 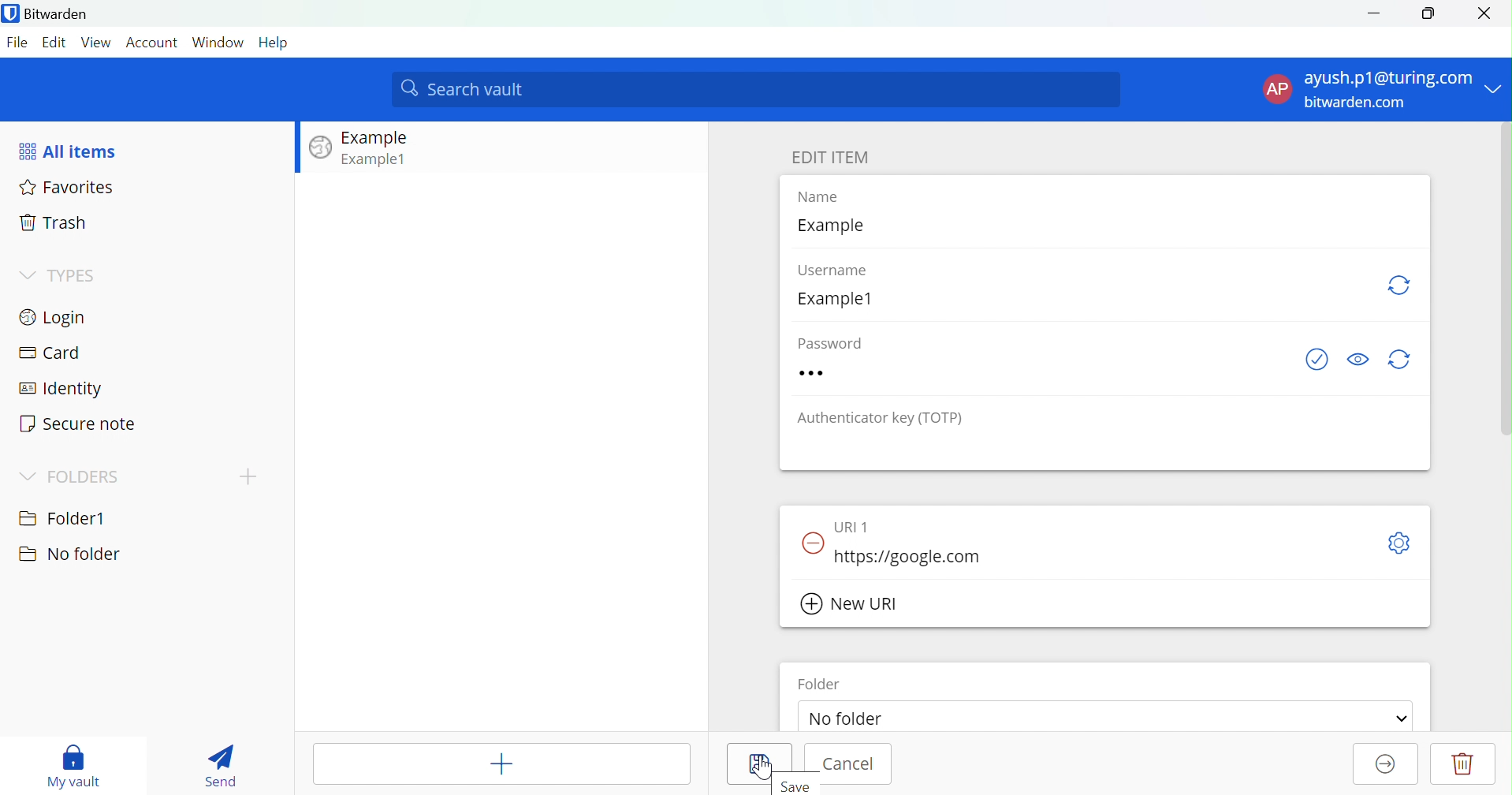 I want to click on Move to Organization, so click(x=1382, y=765).